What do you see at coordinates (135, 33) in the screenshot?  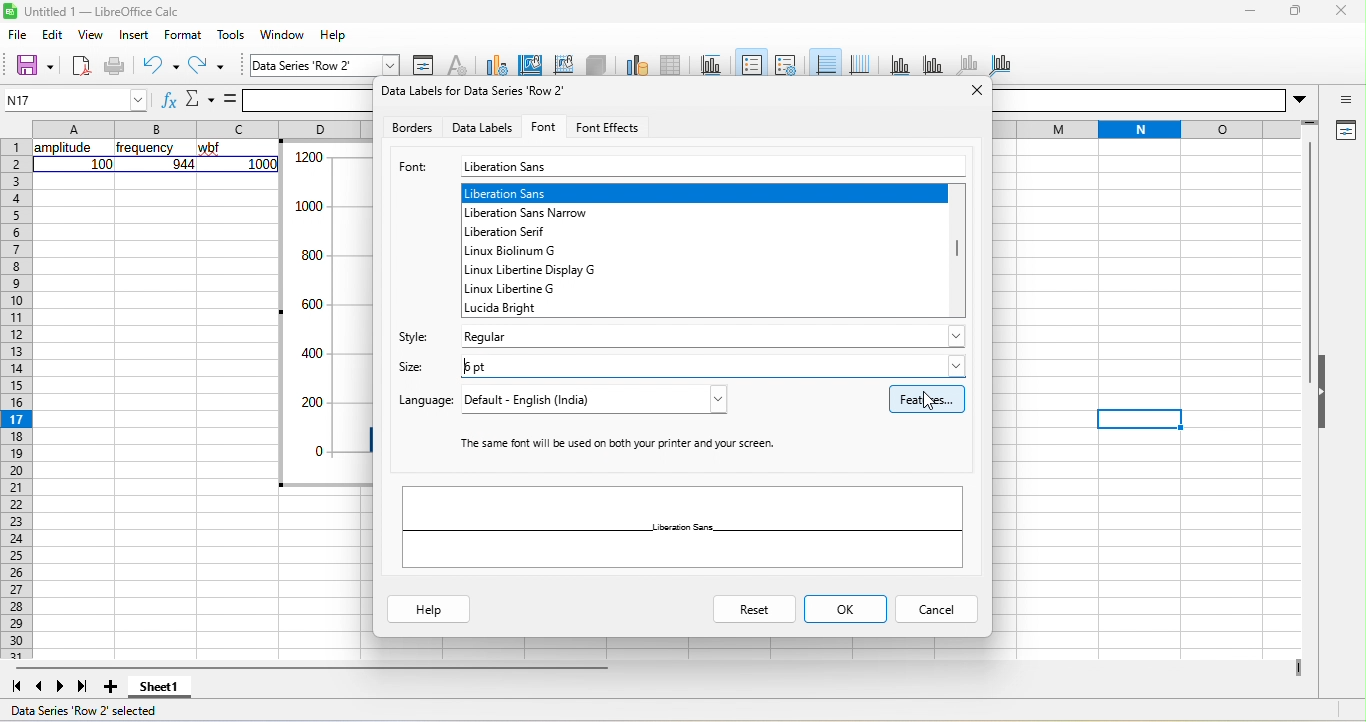 I see `insert` at bounding box center [135, 33].